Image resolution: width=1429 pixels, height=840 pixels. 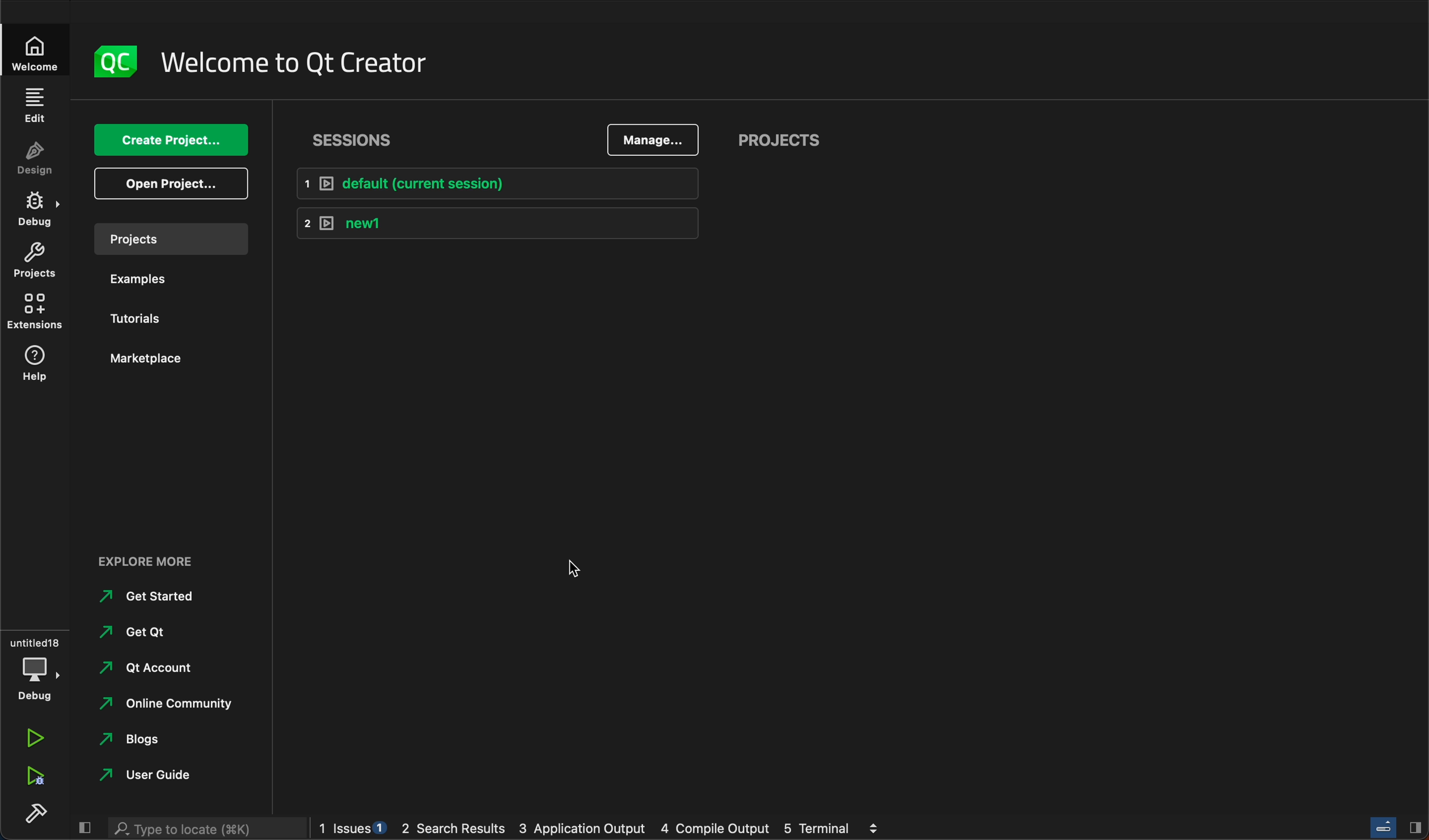 What do you see at coordinates (37, 260) in the screenshot?
I see `projects` at bounding box center [37, 260].